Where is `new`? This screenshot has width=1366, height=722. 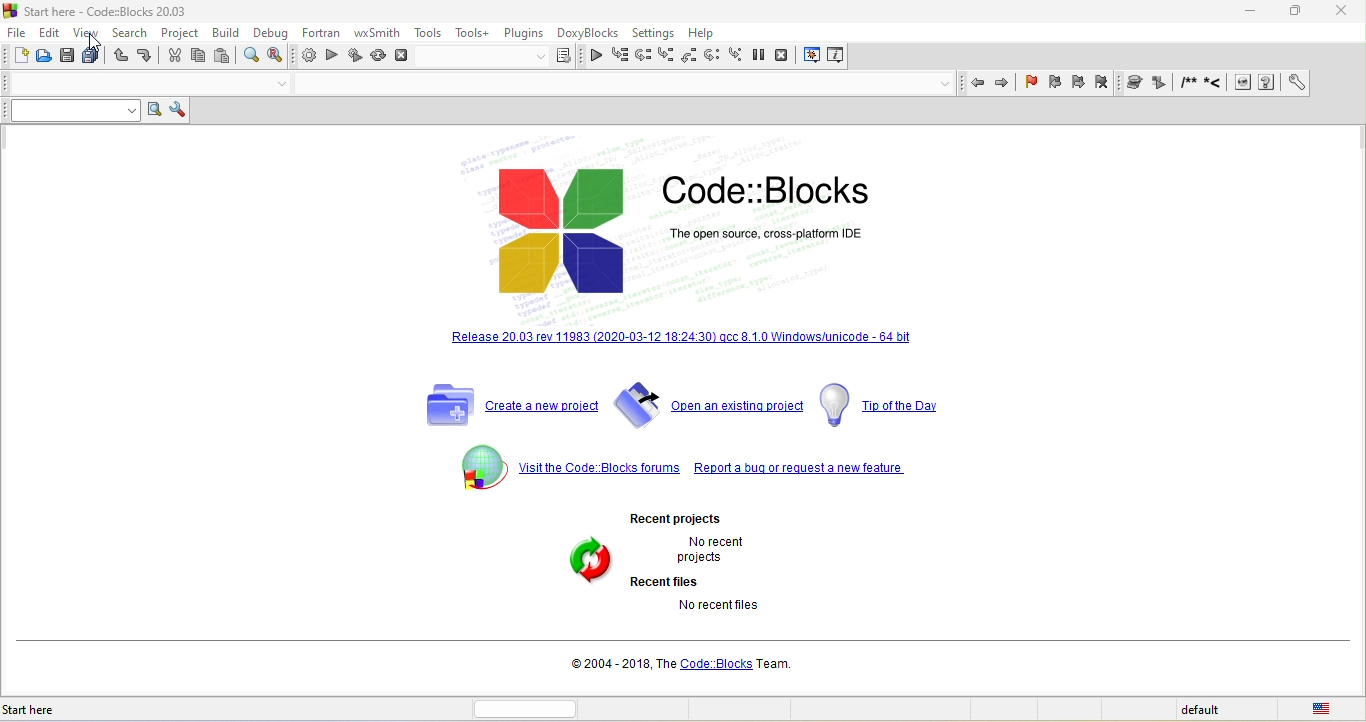
new is located at coordinates (19, 57).